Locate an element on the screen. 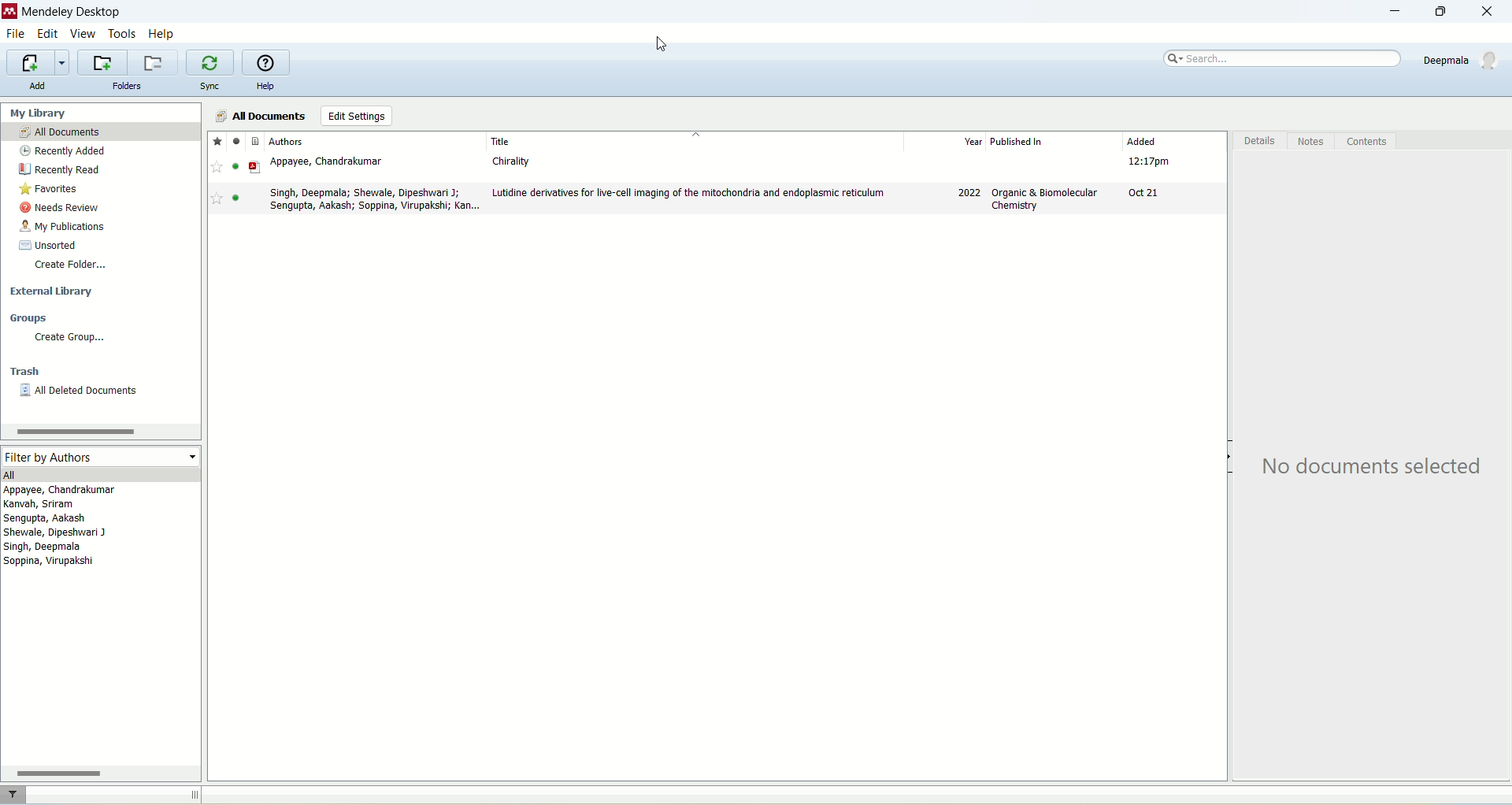 This screenshot has height=805, width=1512. synchronize your library with mendeley web is located at coordinates (210, 62).